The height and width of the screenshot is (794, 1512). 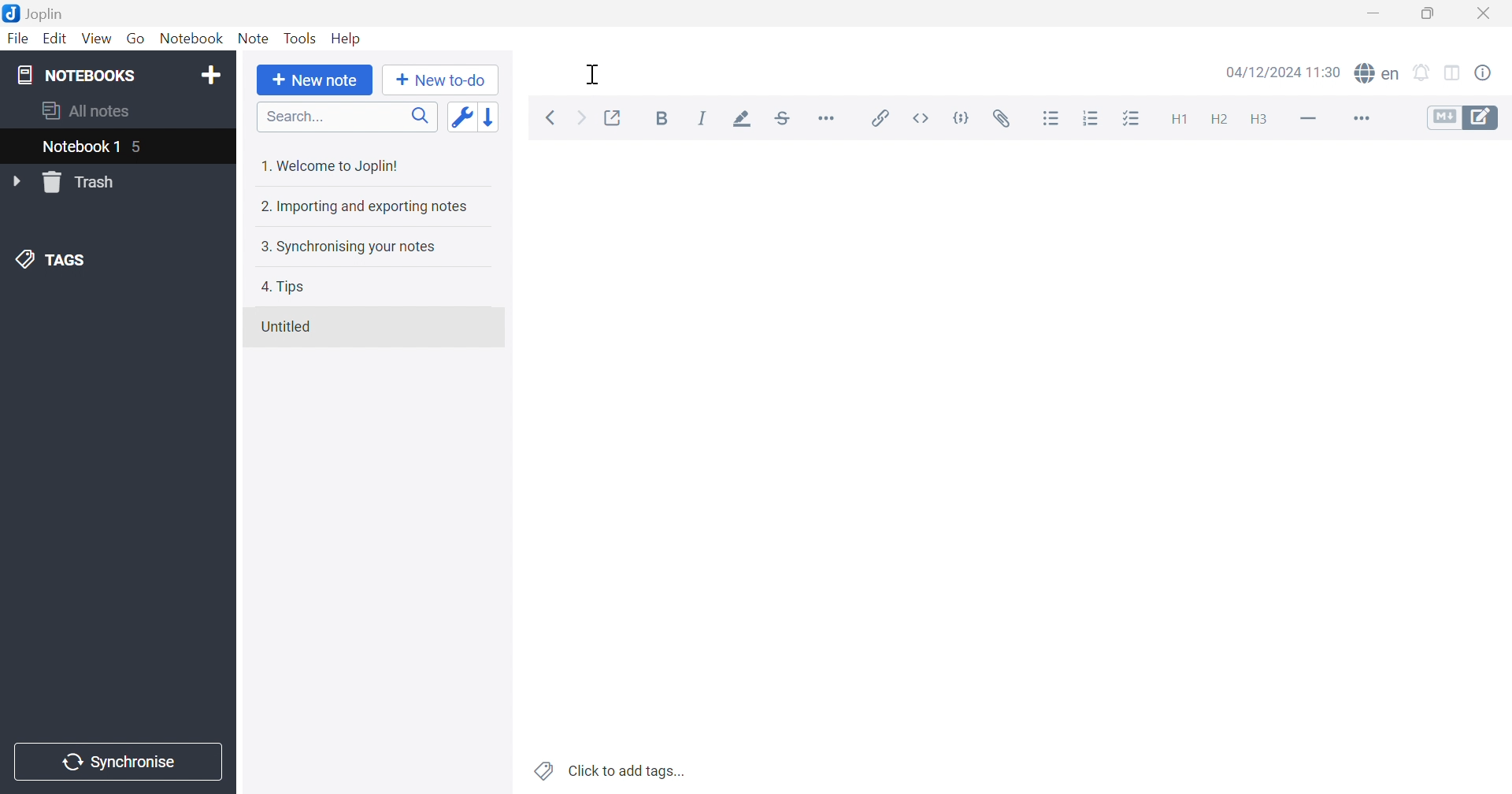 I want to click on Edit, so click(x=57, y=40).